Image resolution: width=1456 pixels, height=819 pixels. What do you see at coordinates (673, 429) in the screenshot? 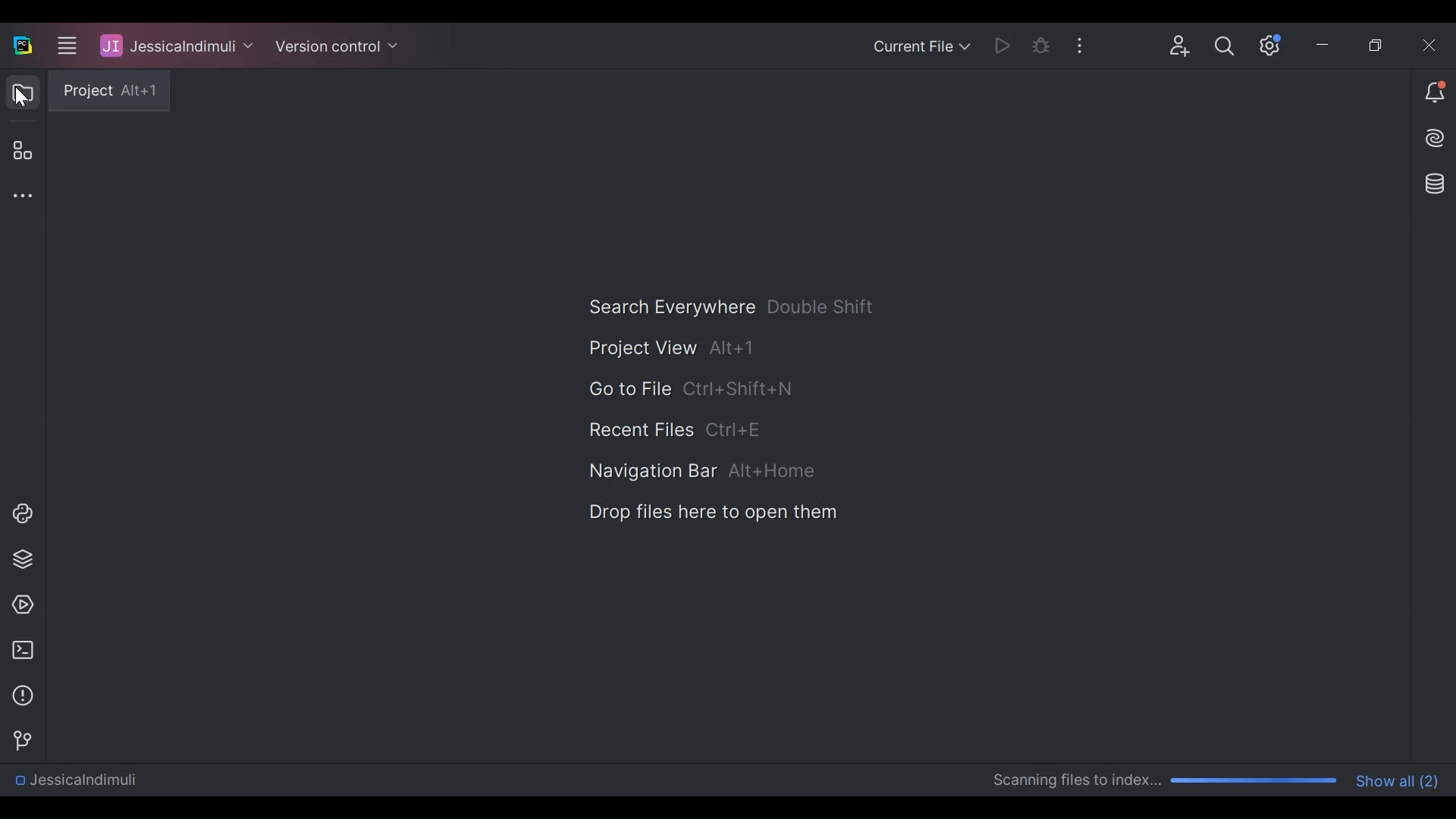
I see `Recent File` at bounding box center [673, 429].